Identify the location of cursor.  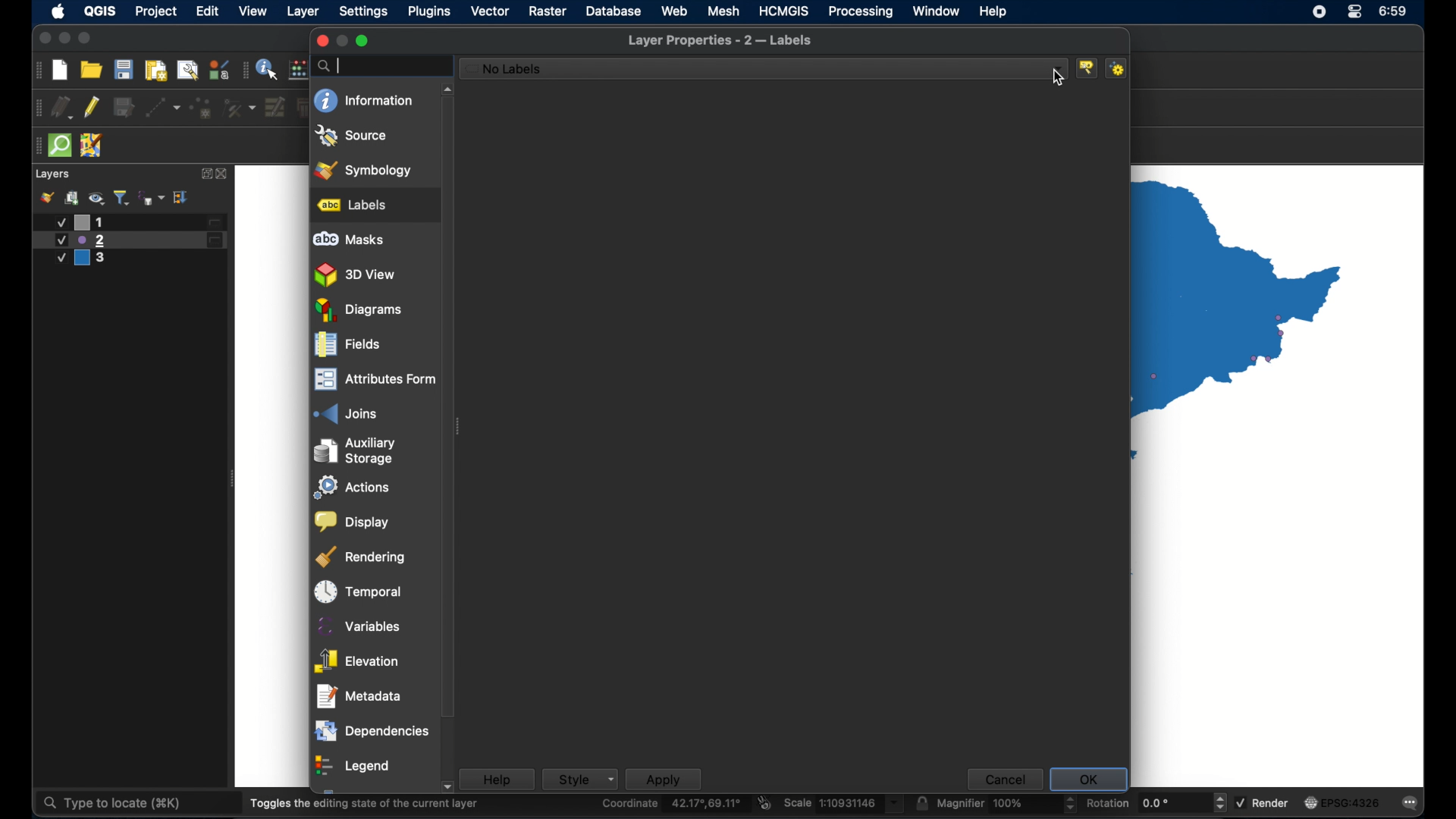
(1059, 80).